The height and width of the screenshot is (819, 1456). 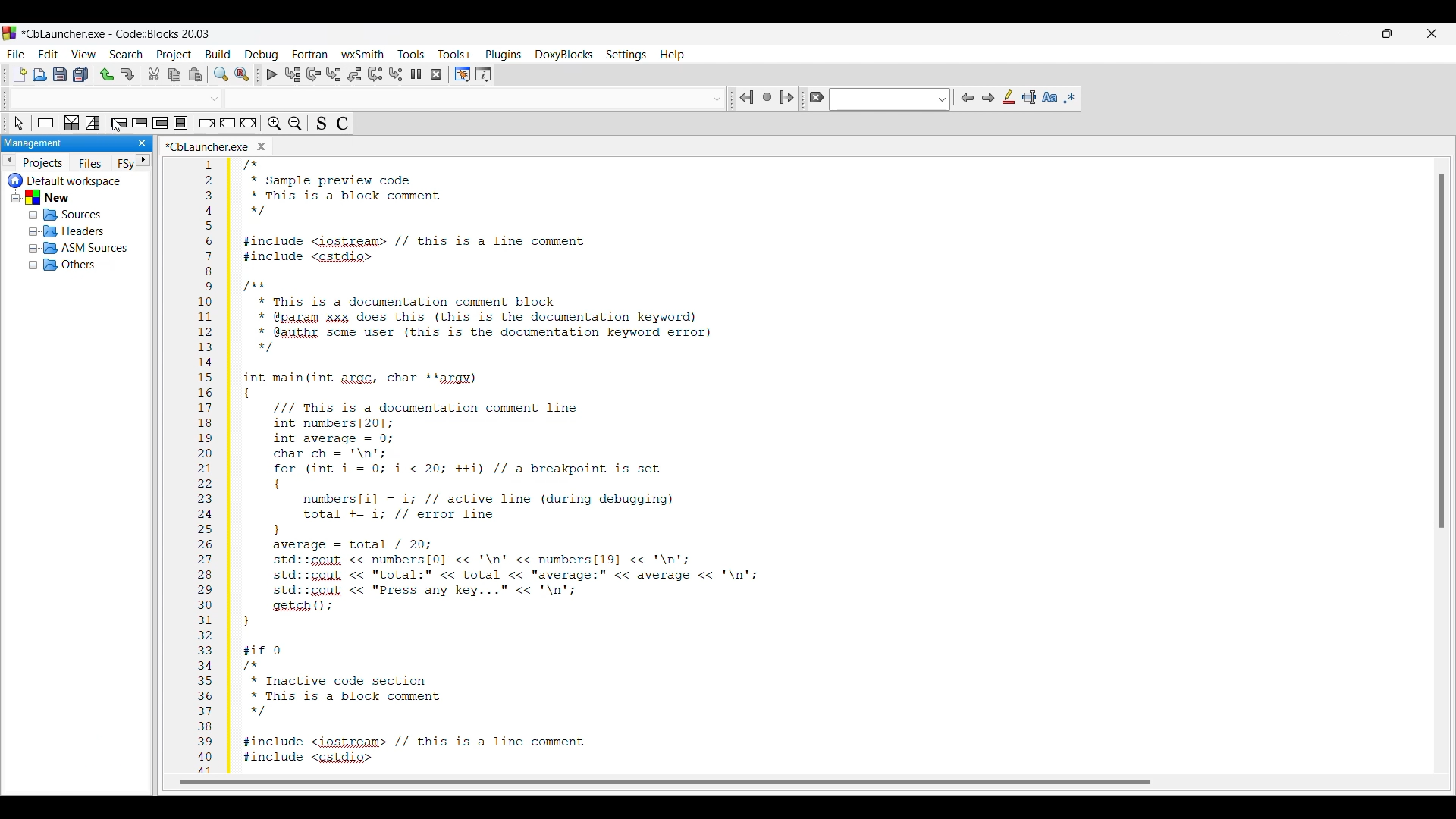 I want to click on Debugging windows, so click(x=463, y=74).